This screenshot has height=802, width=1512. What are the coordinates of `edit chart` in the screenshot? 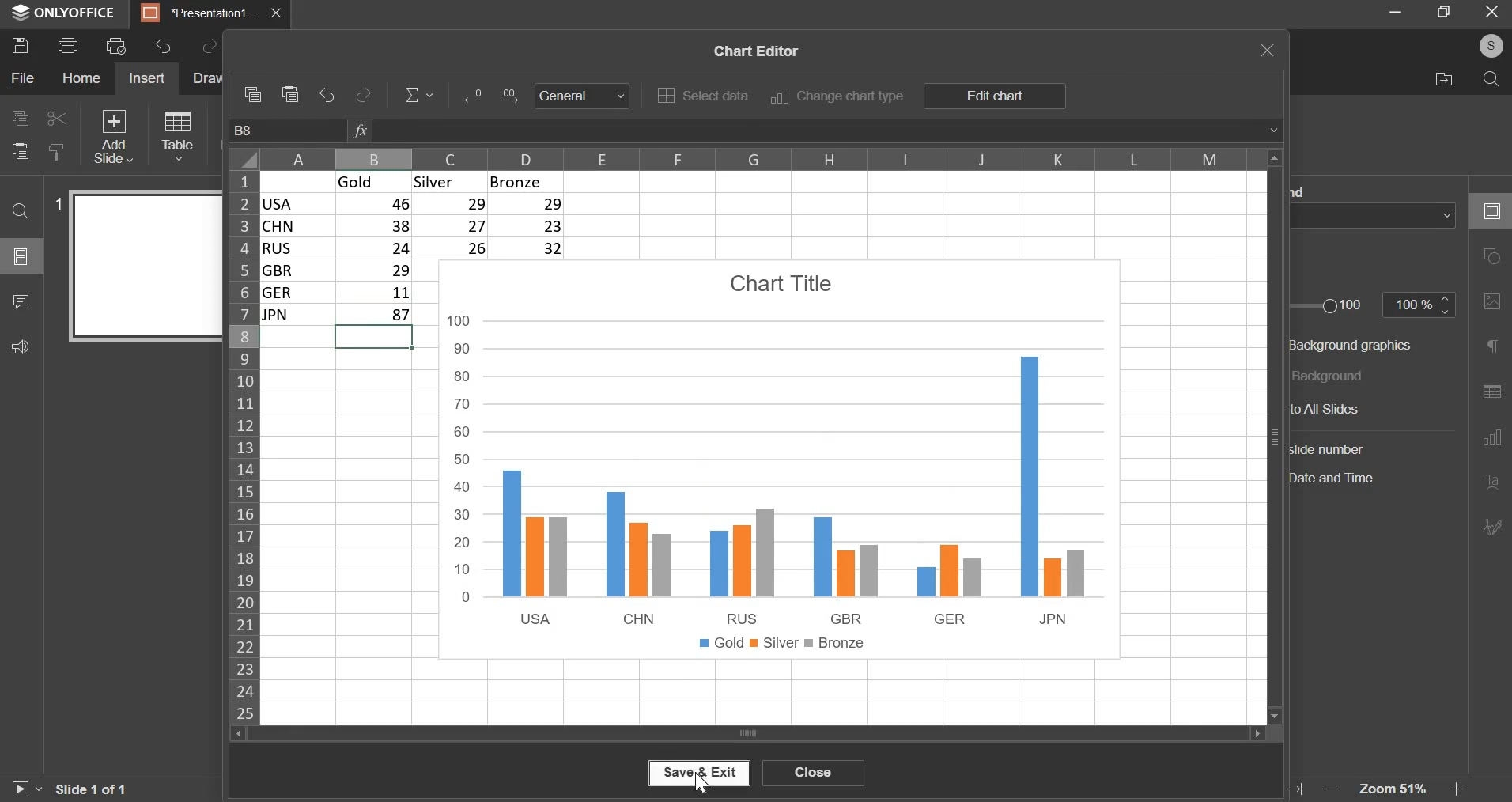 It's located at (993, 96).